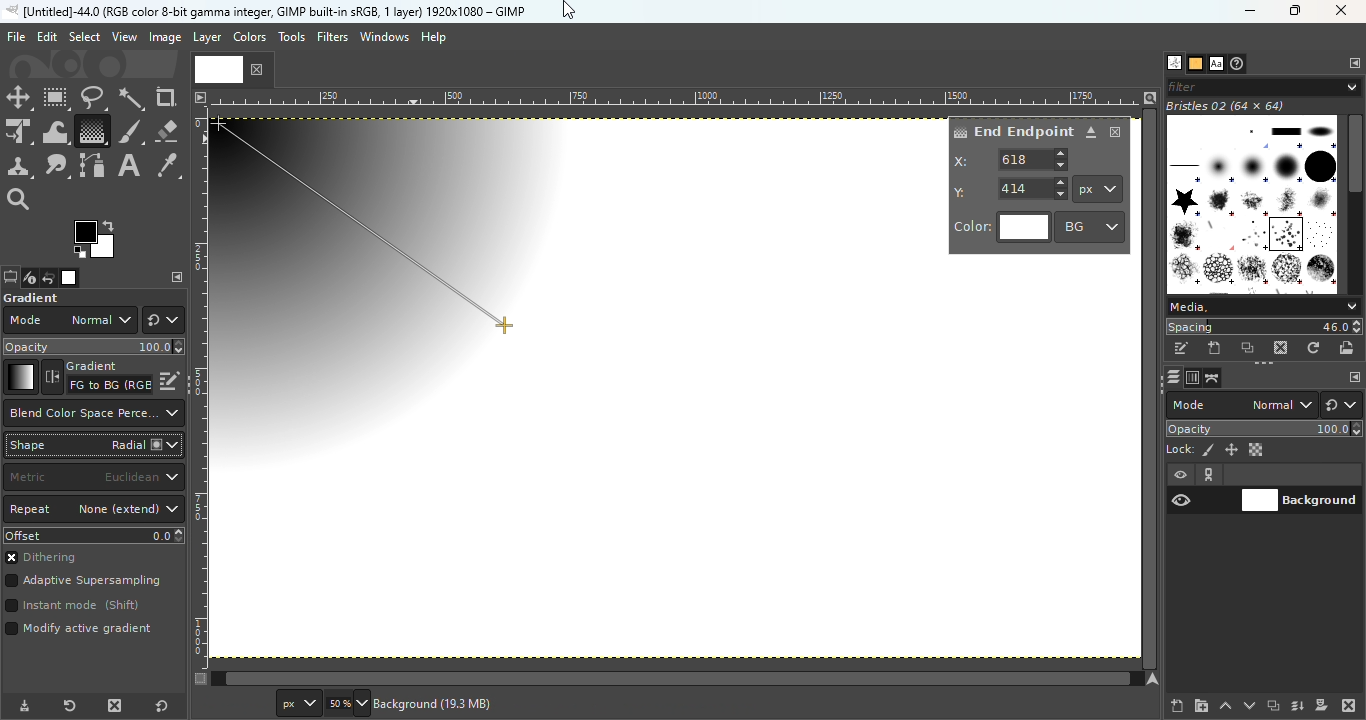 This screenshot has width=1366, height=720. Describe the element at coordinates (1350, 706) in the screenshot. I see `Delete this layer` at that location.